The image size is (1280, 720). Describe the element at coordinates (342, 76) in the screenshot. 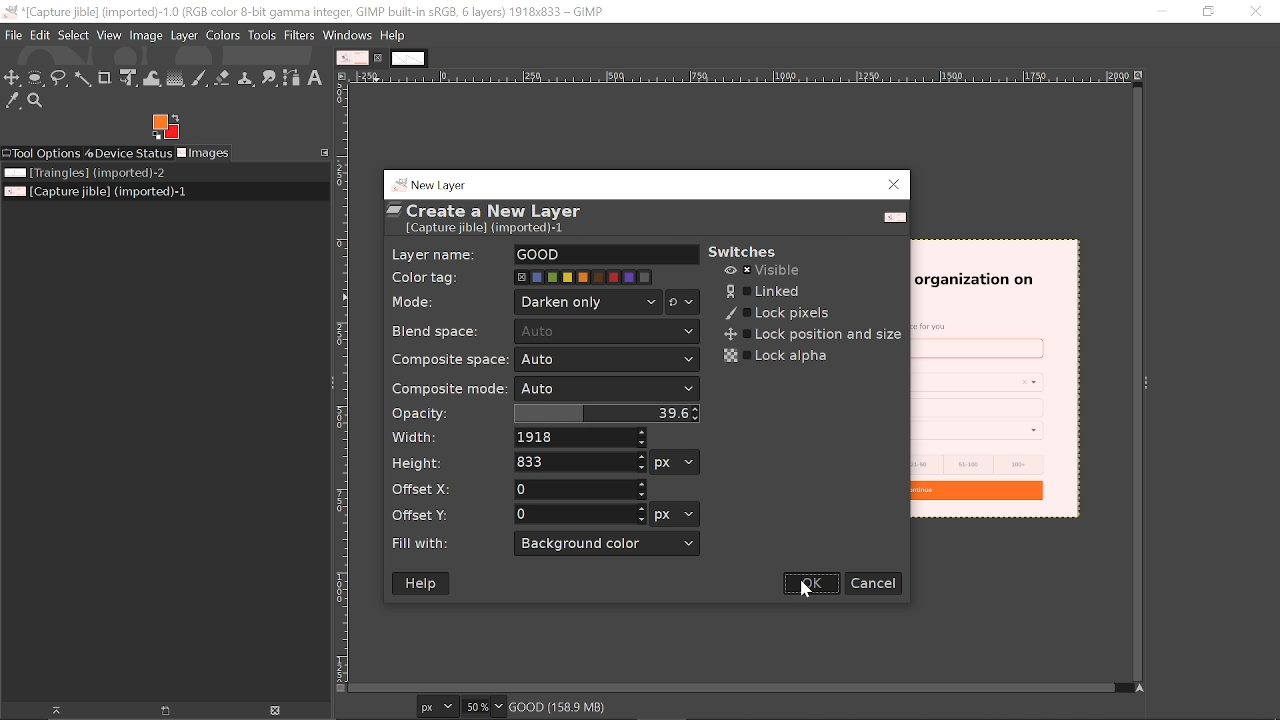

I see `Access this image menu` at that location.